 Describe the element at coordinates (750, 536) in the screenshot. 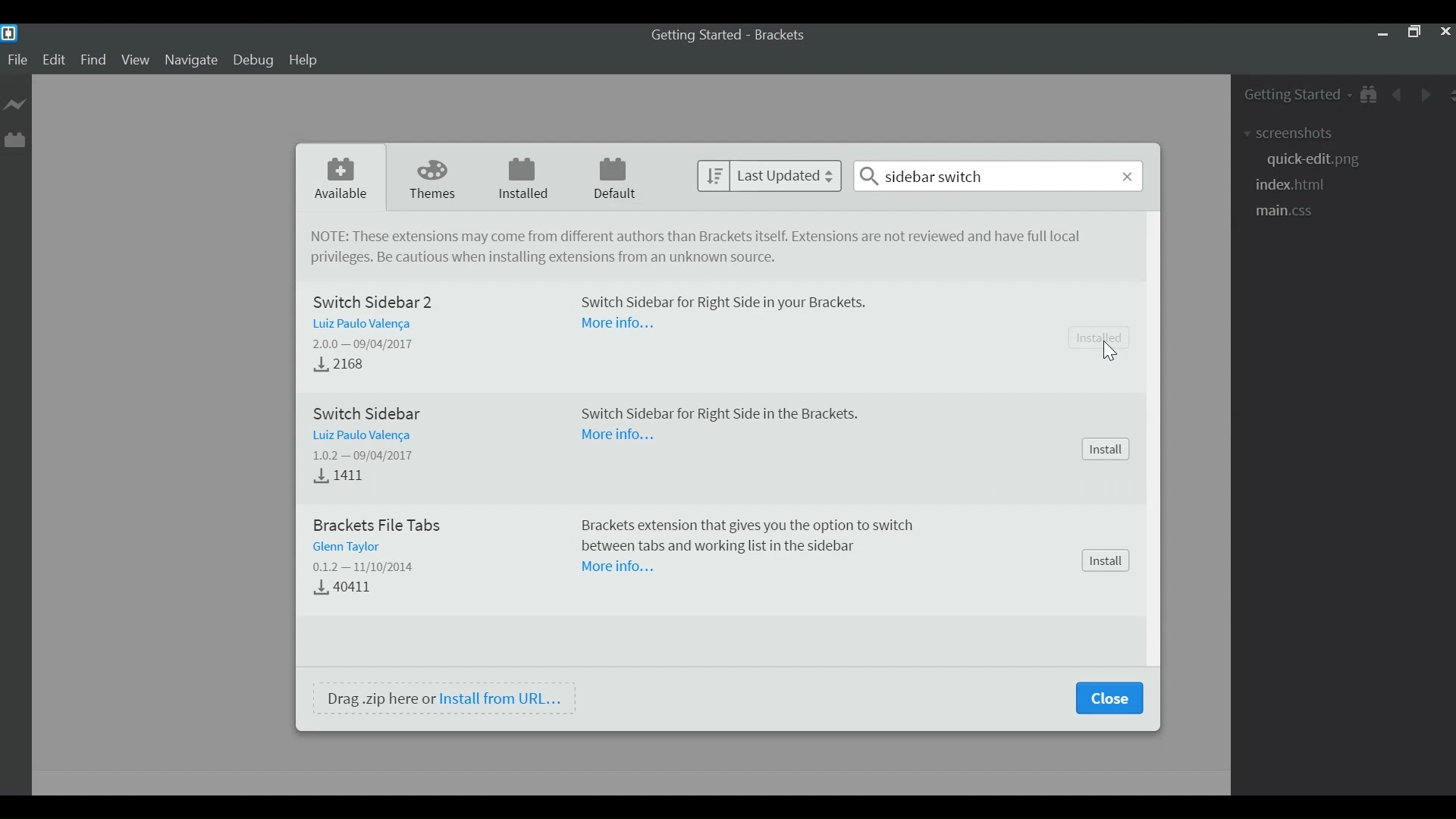

I see `Brackets extension tat gives you the option to switch between tabs and working list in the sidebar` at that location.